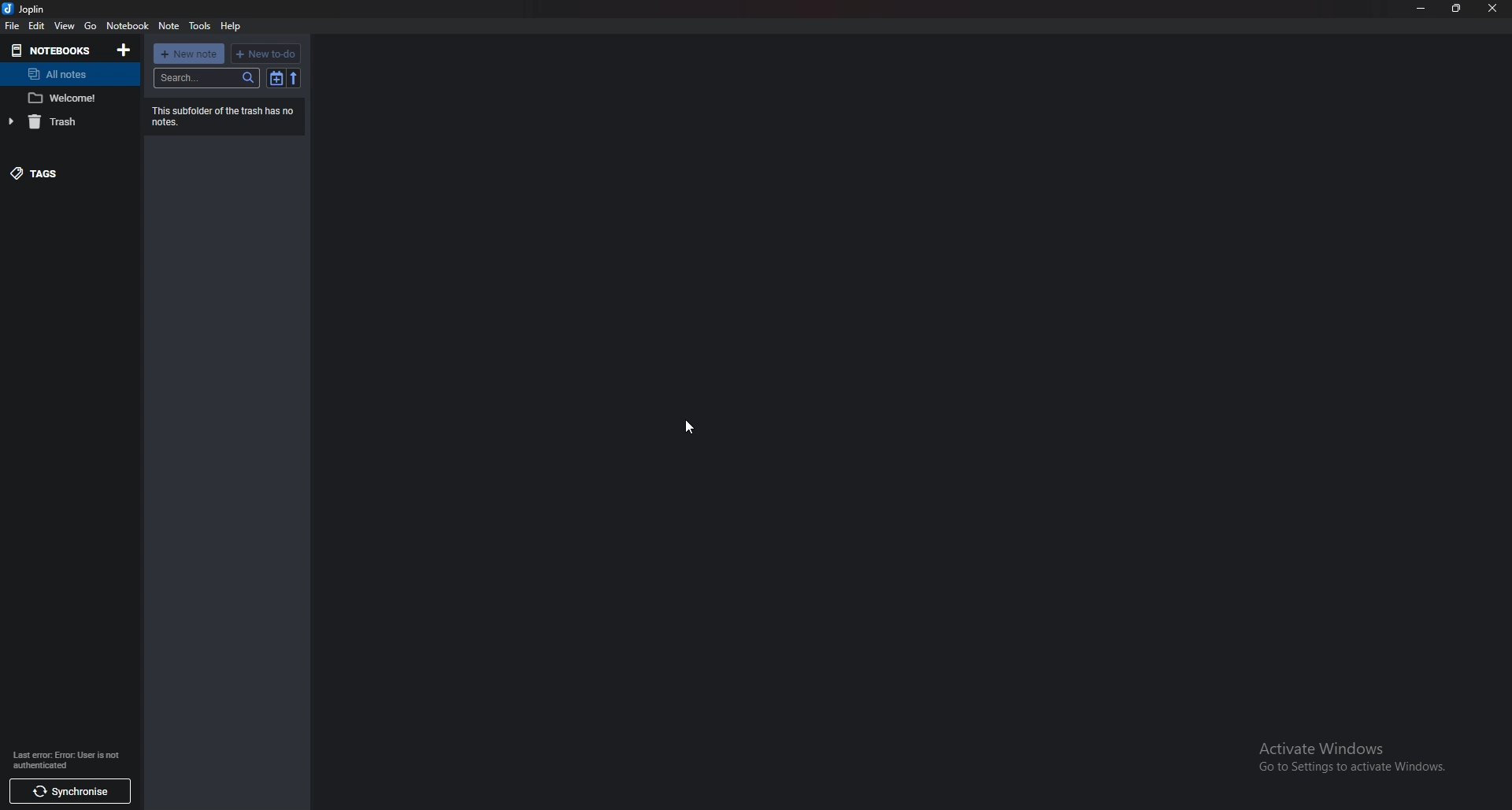 This screenshot has height=810, width=1512. What do you see at coordinates (13, 25) in the screenshot?
I see `file` at bounding box center [13, 25].